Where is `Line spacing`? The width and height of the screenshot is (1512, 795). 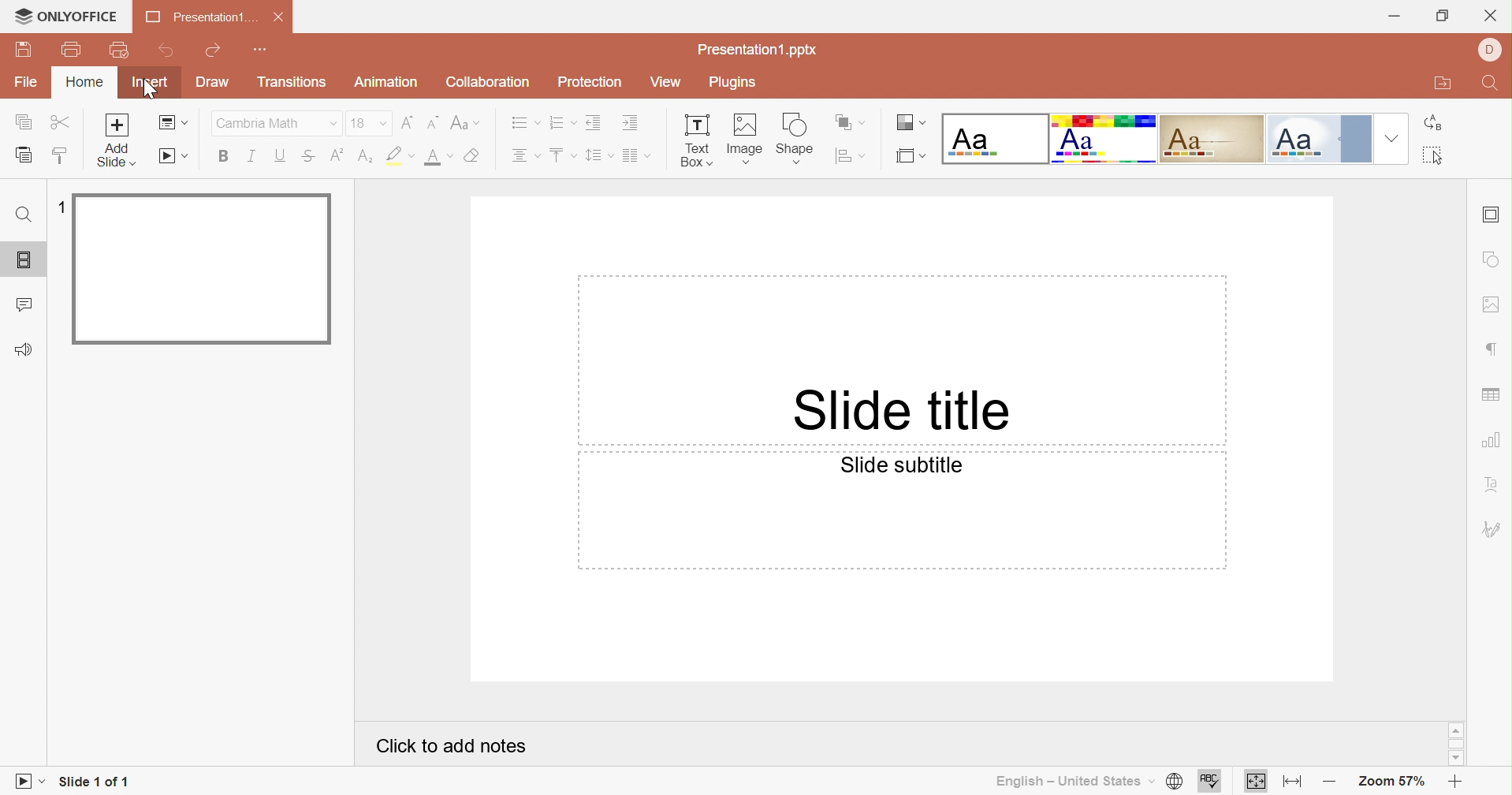
Line spacing is located at coordinates (598, 157).